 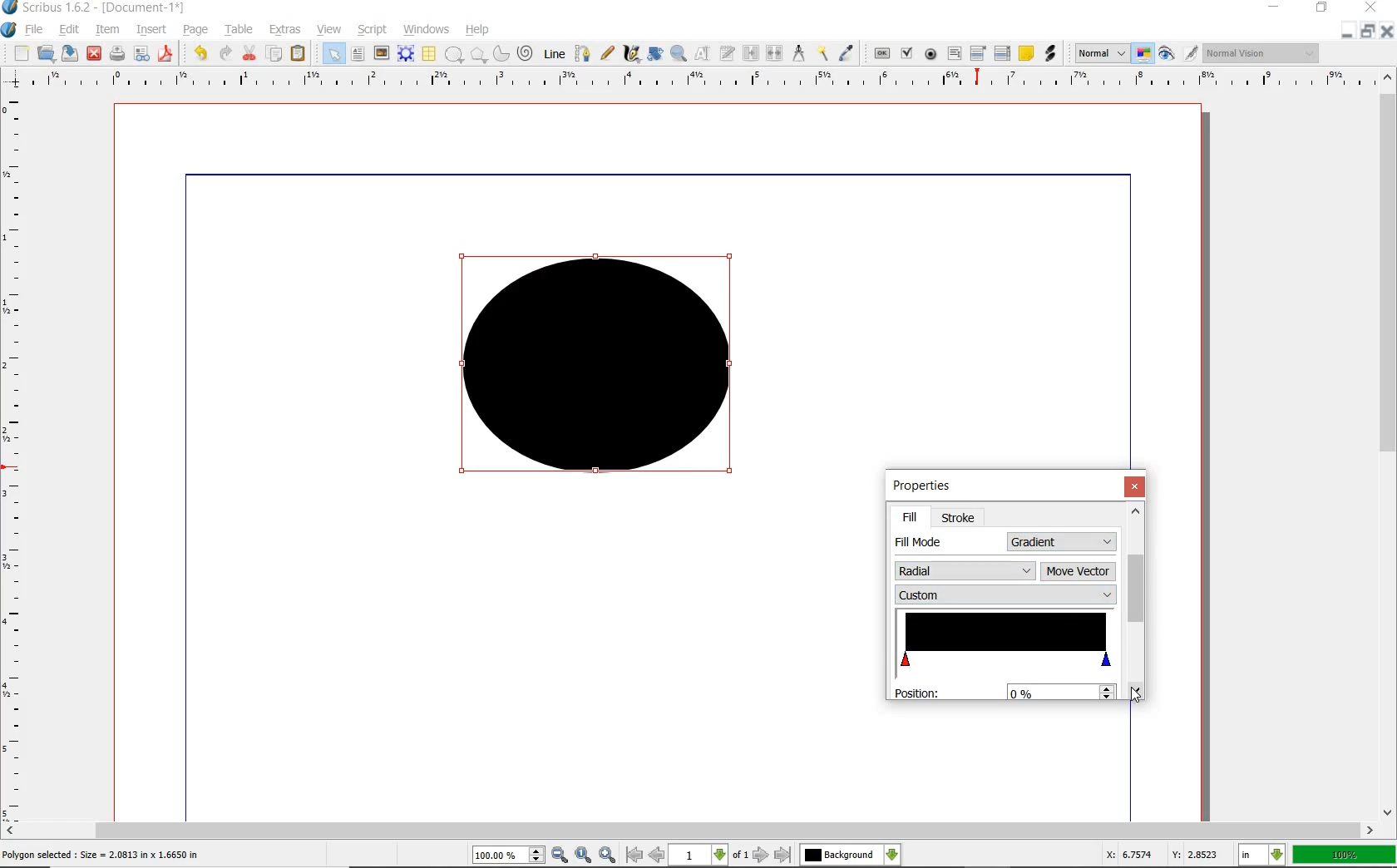 I want to click on RESTORE, so click(x=1368, y=32).